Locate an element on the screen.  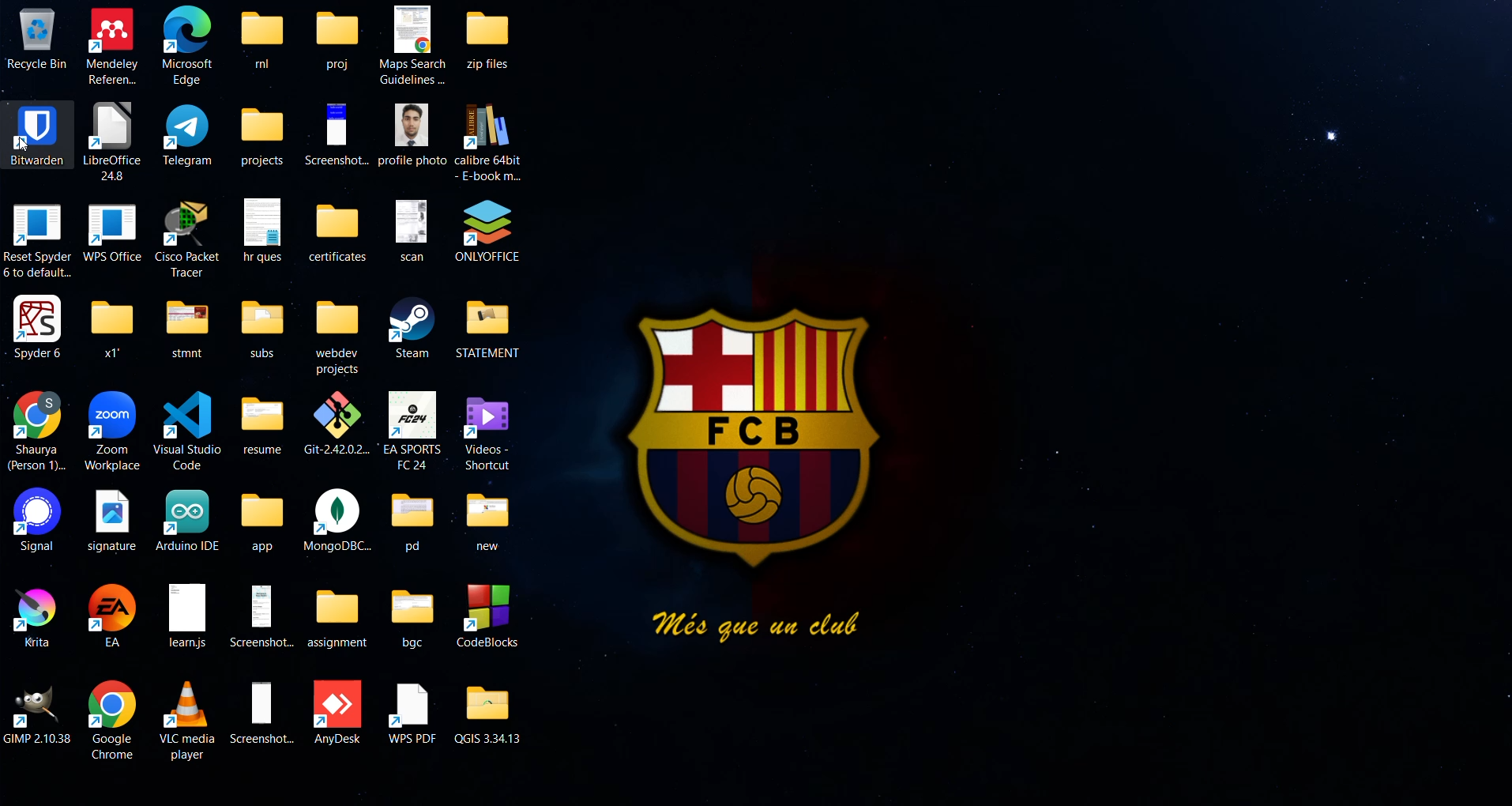
signature is located at coordinates (111, 520).